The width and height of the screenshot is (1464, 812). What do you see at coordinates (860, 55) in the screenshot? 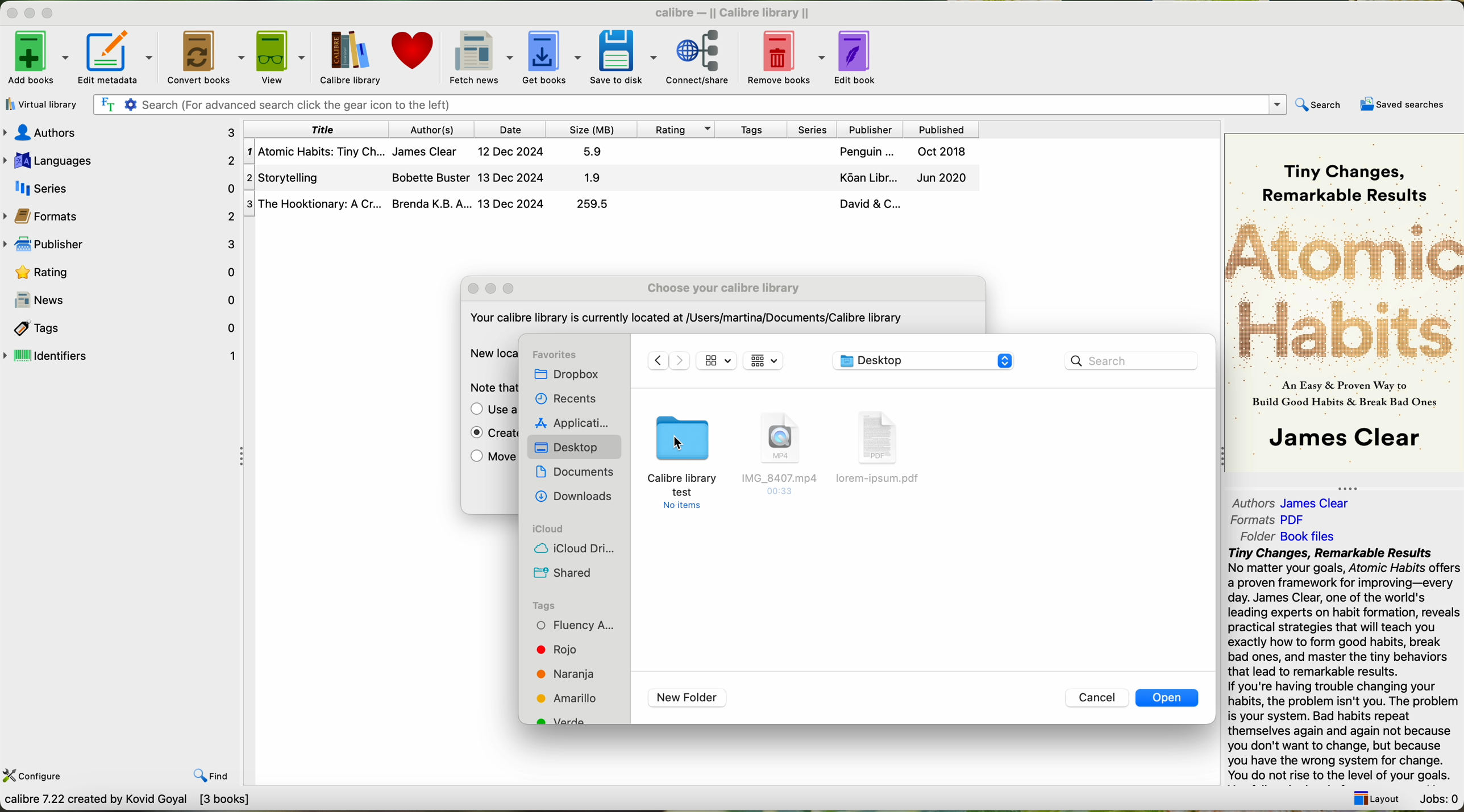
I see `edit book` at bounding box center [860, 55].